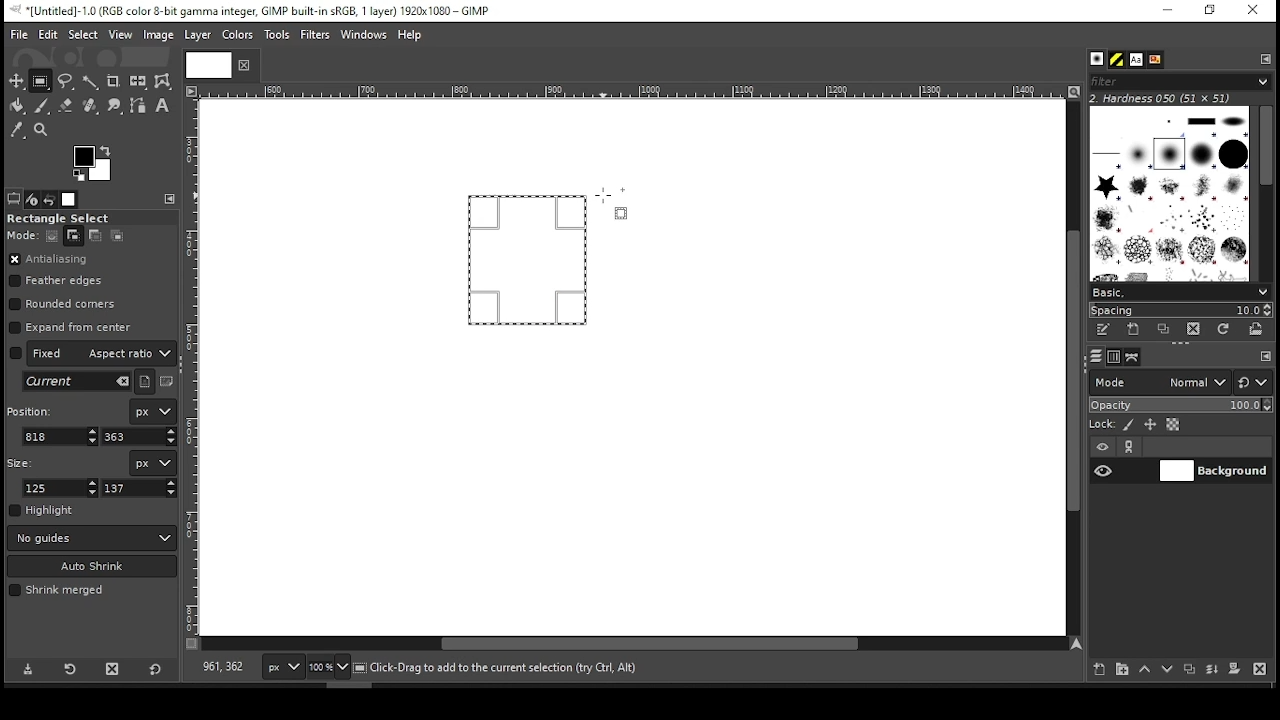 This screenshot has width=1280, height=720. What do you see at coordinates (279, 36) in the screenshot?
I see `tools` at bounding box center [279, 36].